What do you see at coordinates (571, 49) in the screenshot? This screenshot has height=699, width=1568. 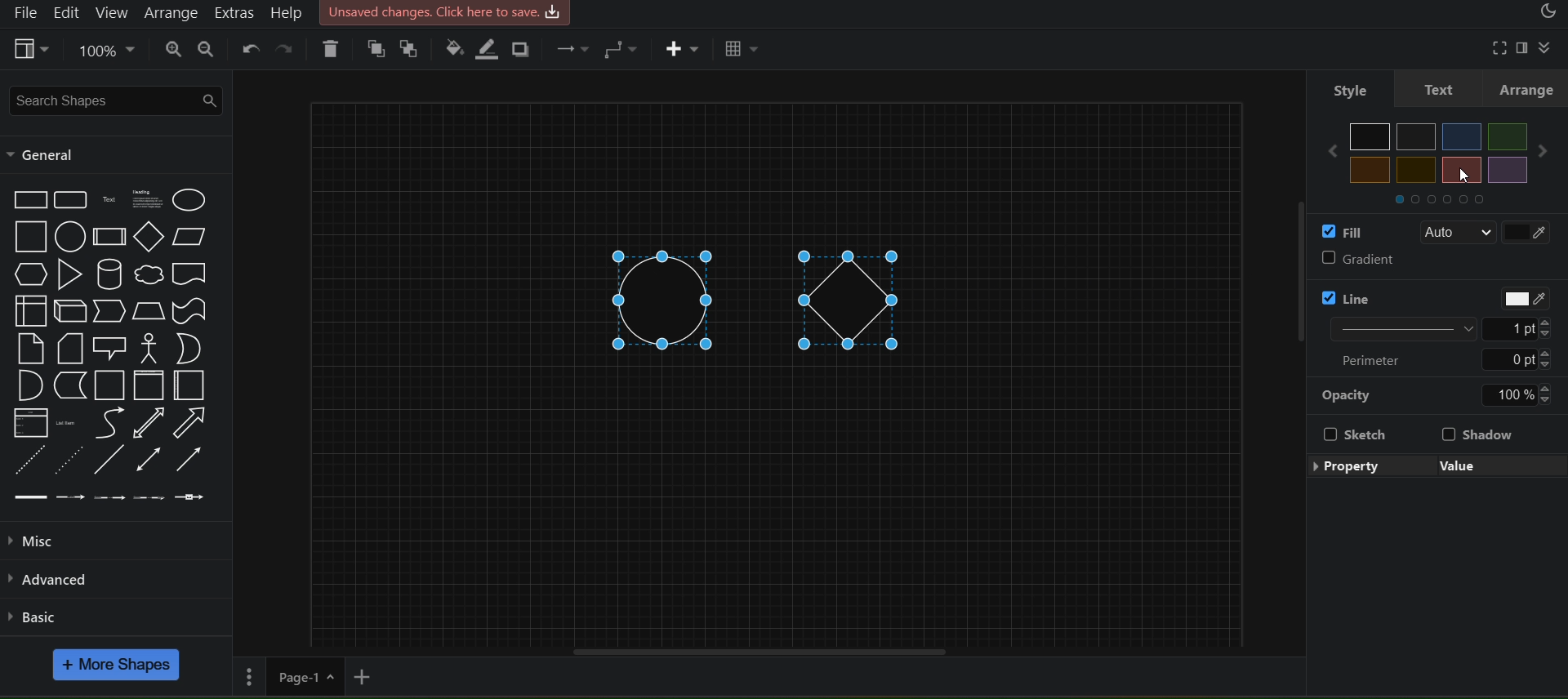 I see `connection` at bounding box center [571, 49].